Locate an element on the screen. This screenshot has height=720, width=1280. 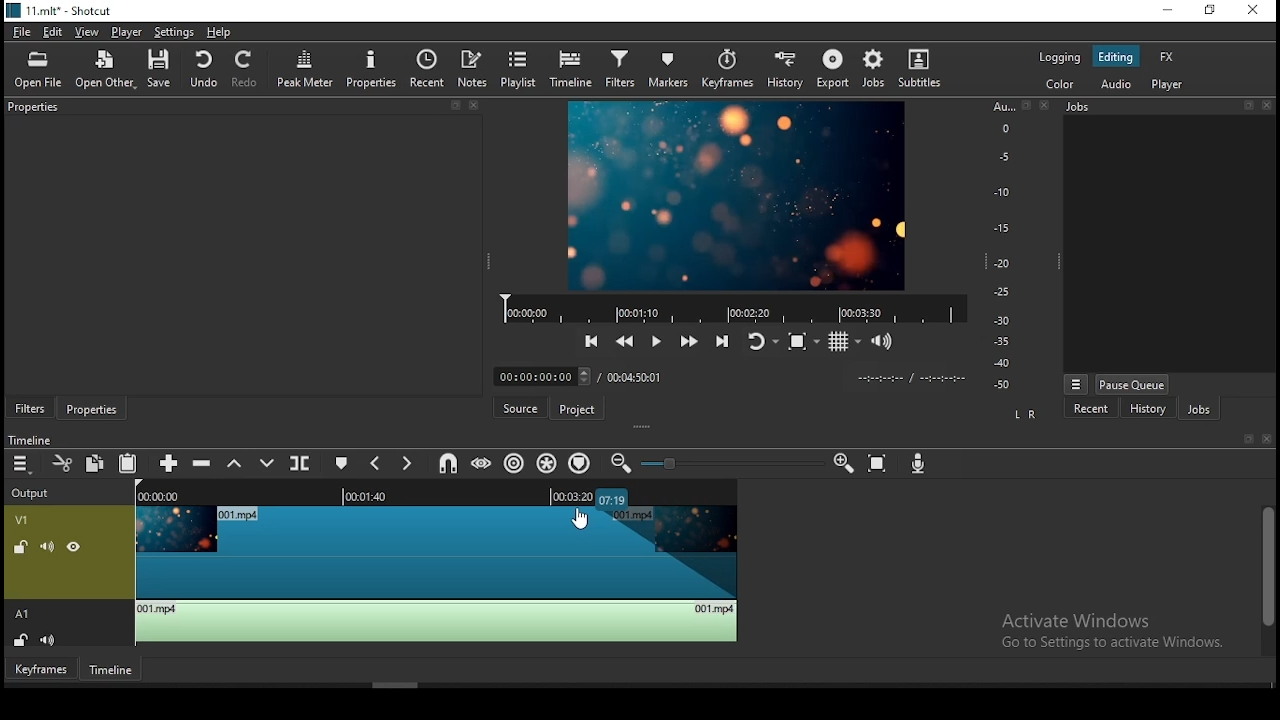
mouse pointer is located at coordinates (582, 514).